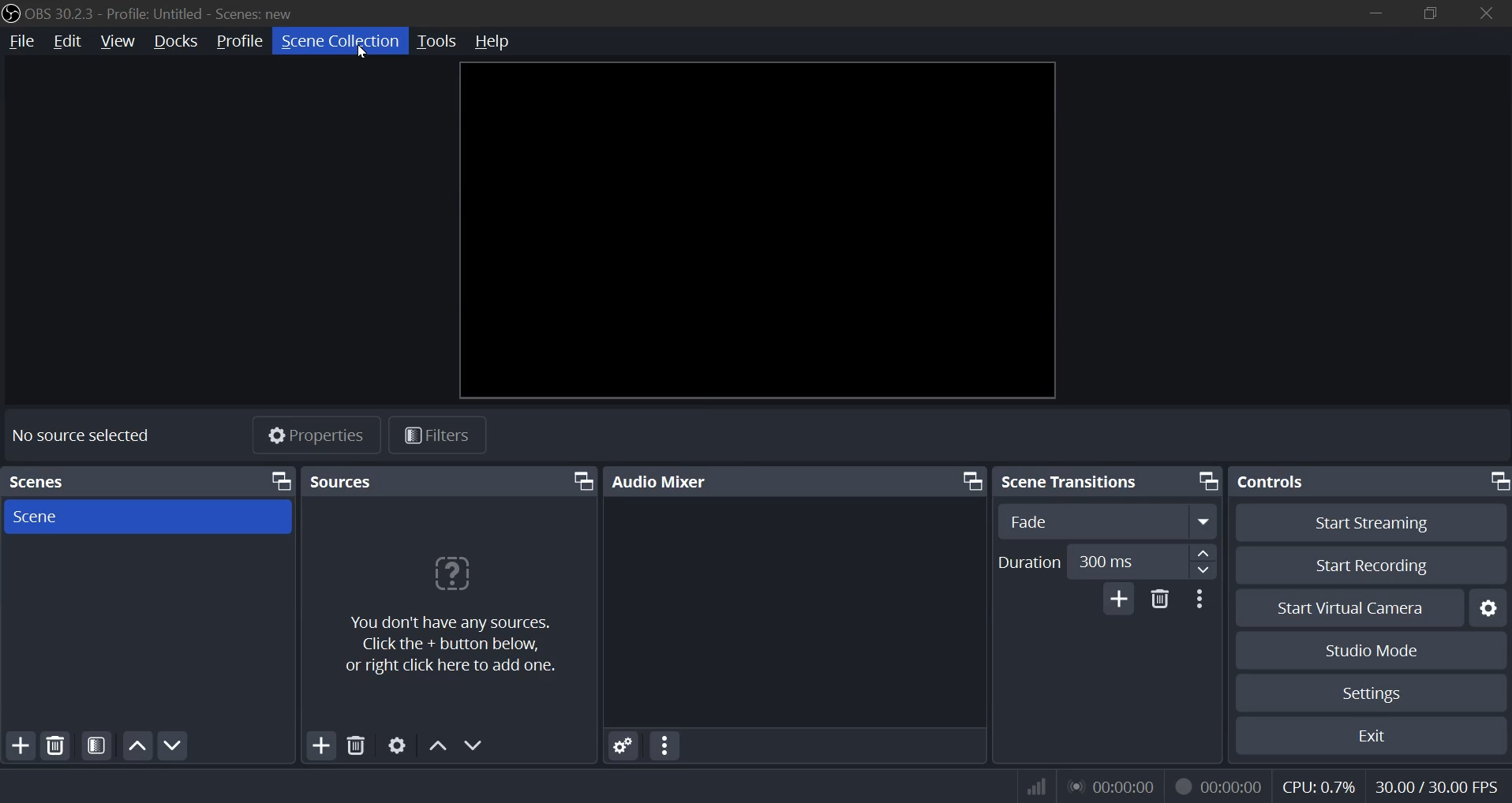 The height and width of the screenshot is (803, 1512). What do you see at coordinates (355, 746) in the screenshot?
I see `delete` at bounding box center [355, 746].